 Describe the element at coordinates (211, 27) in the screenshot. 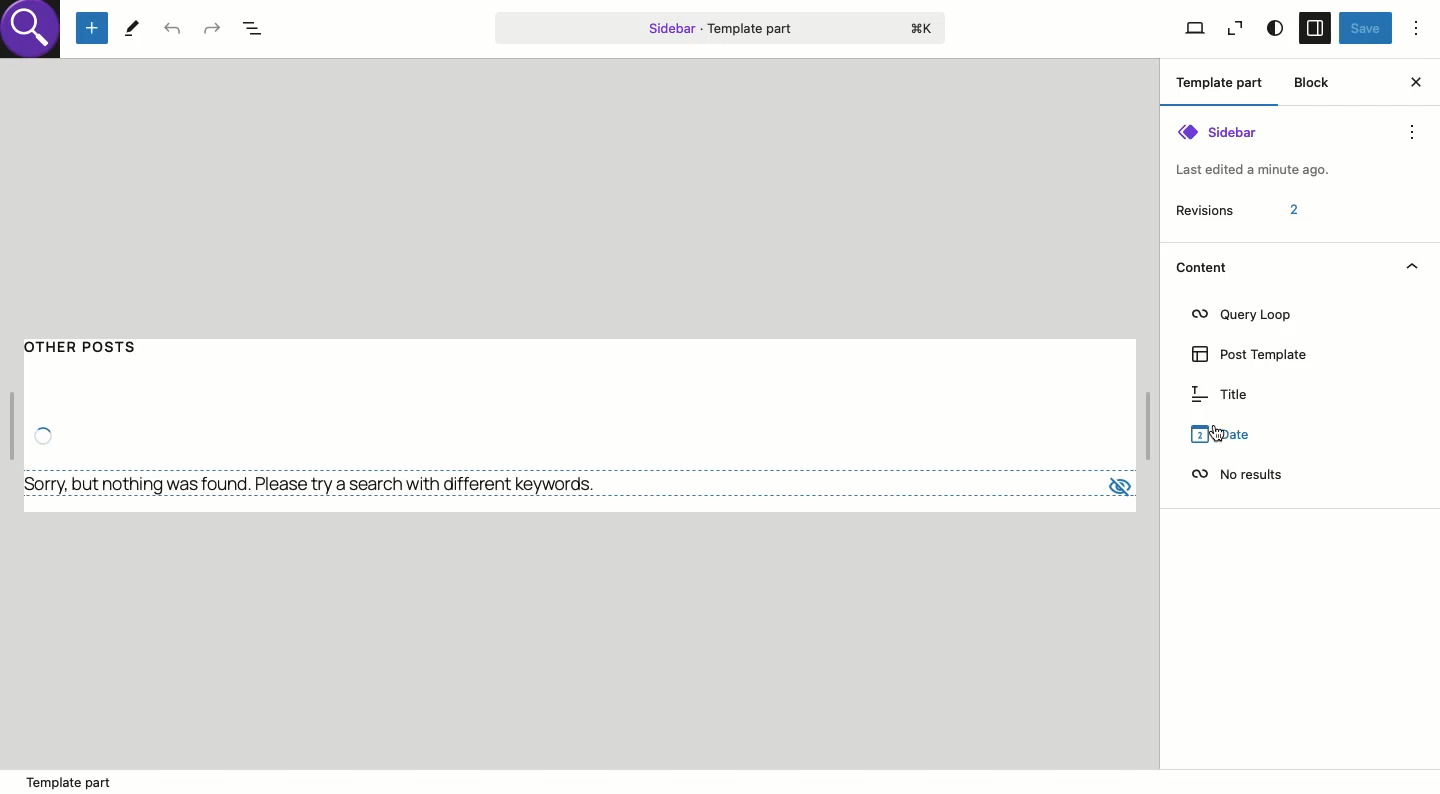

I see `Redo` at that location.